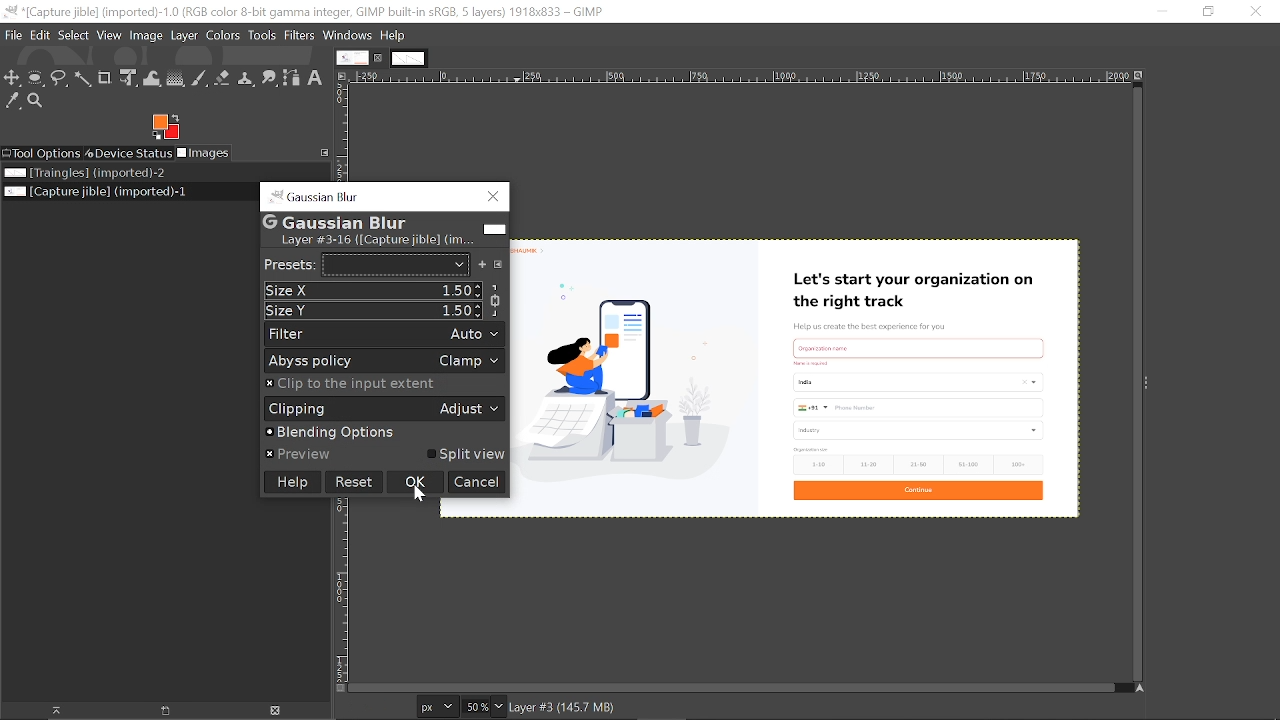 This screenshot has height=720, width=1280. What do you see at coordinates (169, 711) in the screenshot?
I see `Create a new display for this image` at bounding box center [169, 711].